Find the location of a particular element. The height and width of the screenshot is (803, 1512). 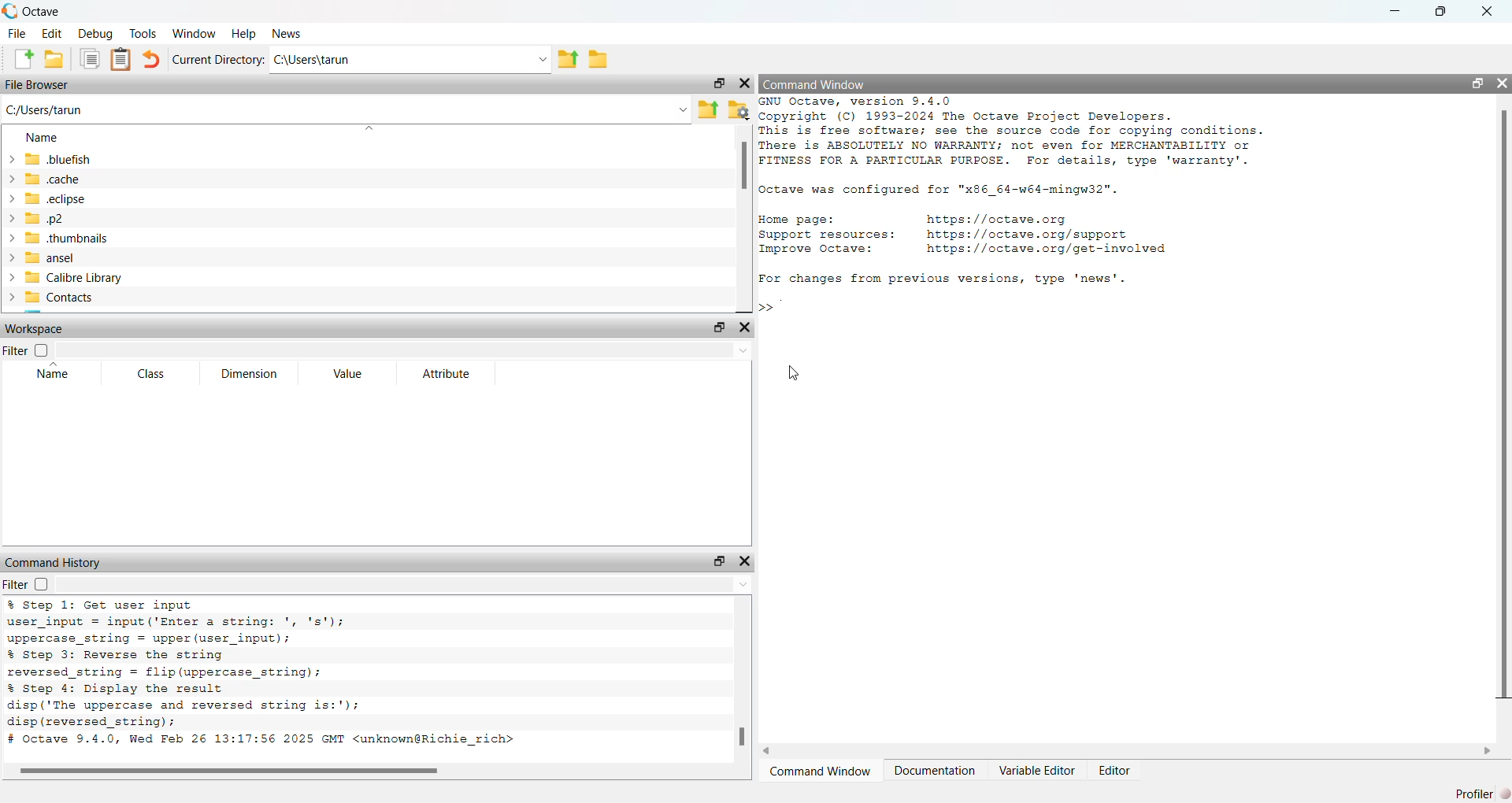

command window is located at coordinates (817, 772).